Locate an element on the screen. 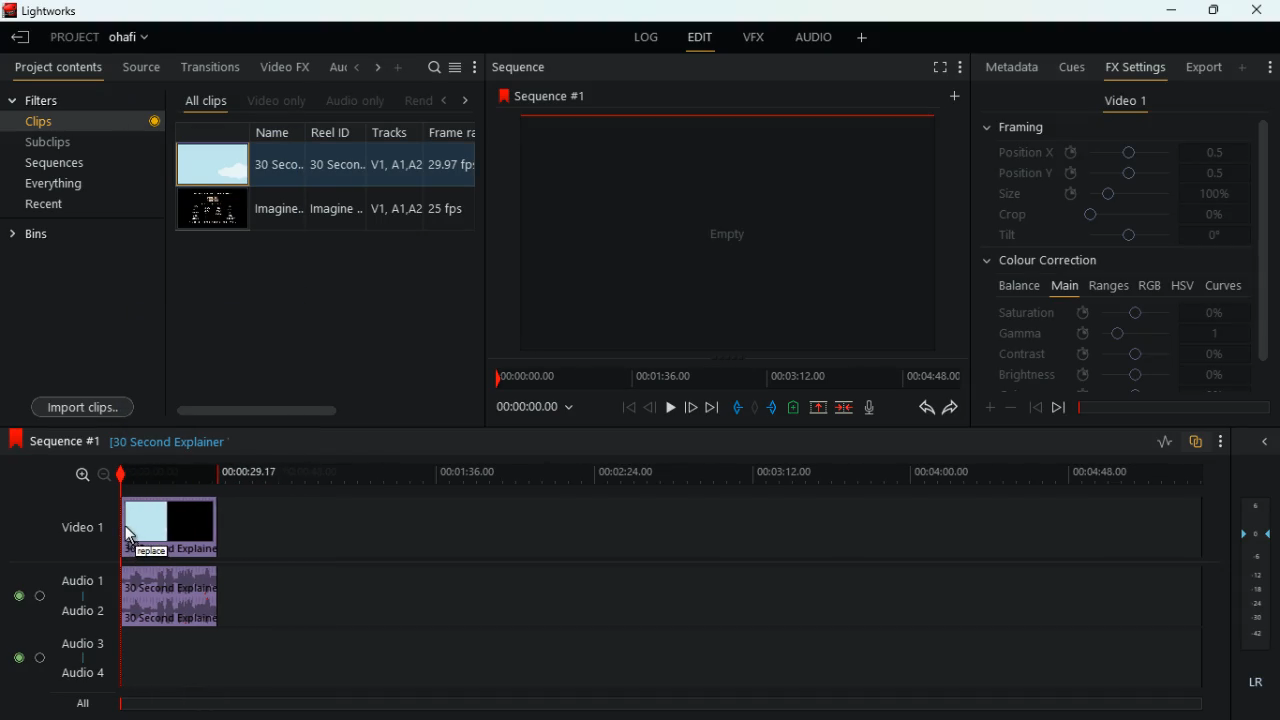 This screenshot has height=720, width=1280. project is located at coordinates (102, 37).